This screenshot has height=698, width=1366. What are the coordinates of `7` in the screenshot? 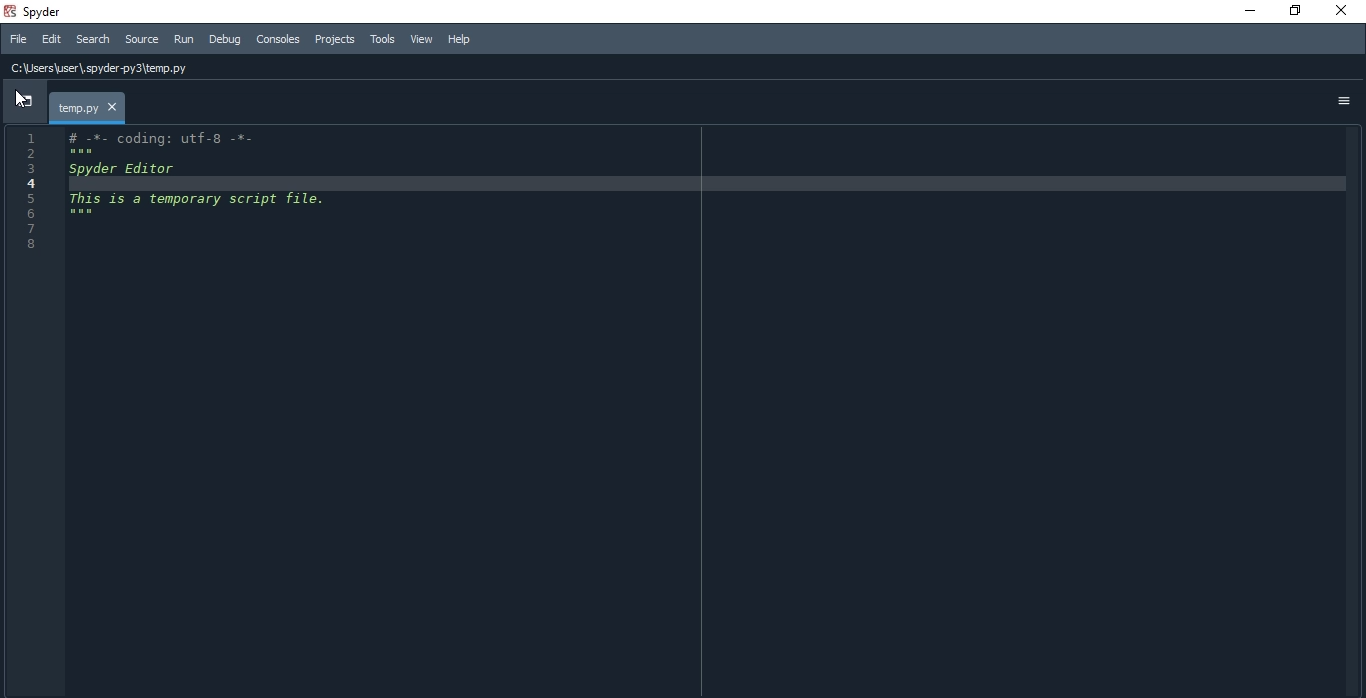 It's located at (35, 228).